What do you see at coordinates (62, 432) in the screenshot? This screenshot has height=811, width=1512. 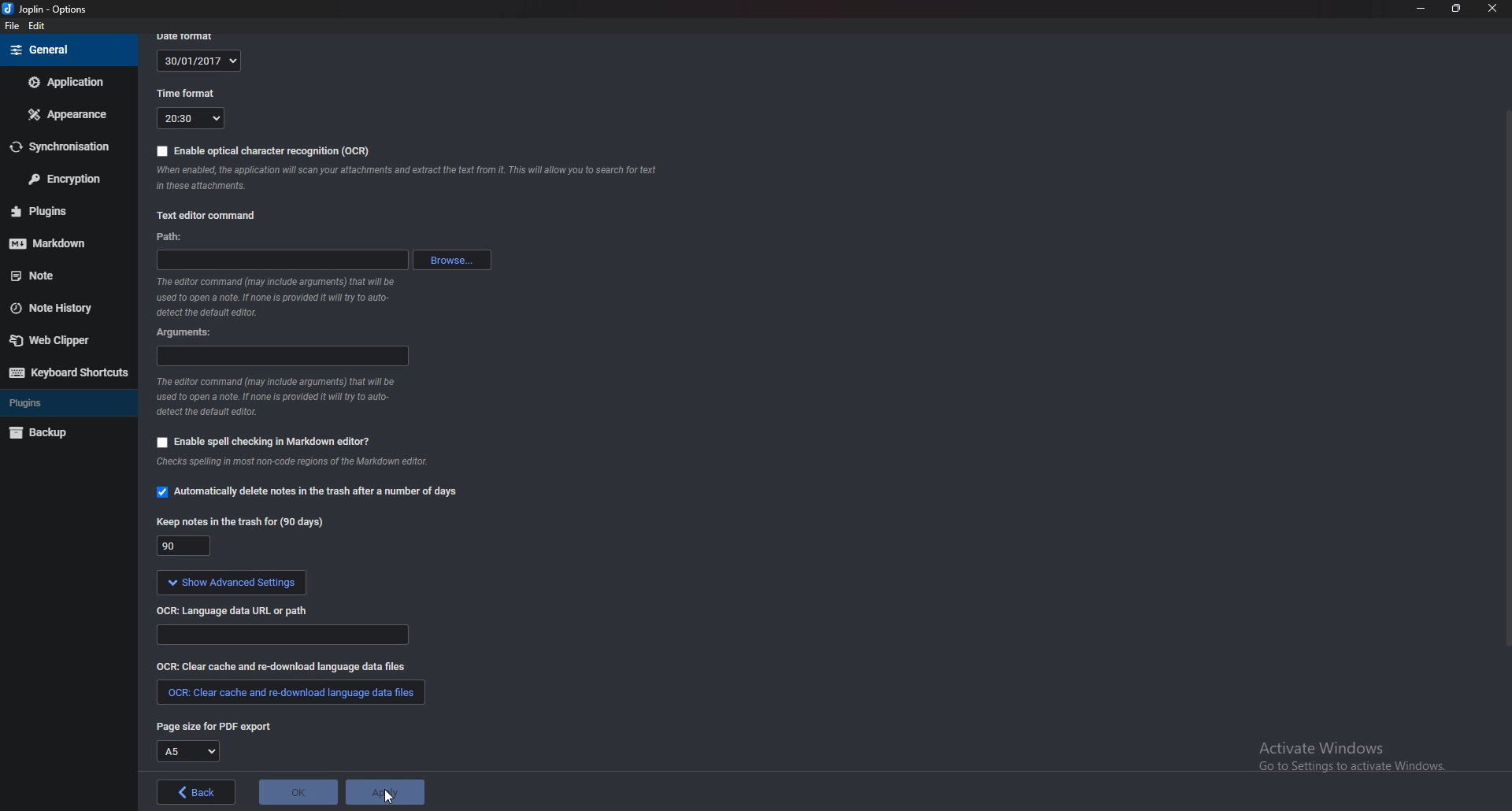 I see `Back up` at bounding box center [62, 432].